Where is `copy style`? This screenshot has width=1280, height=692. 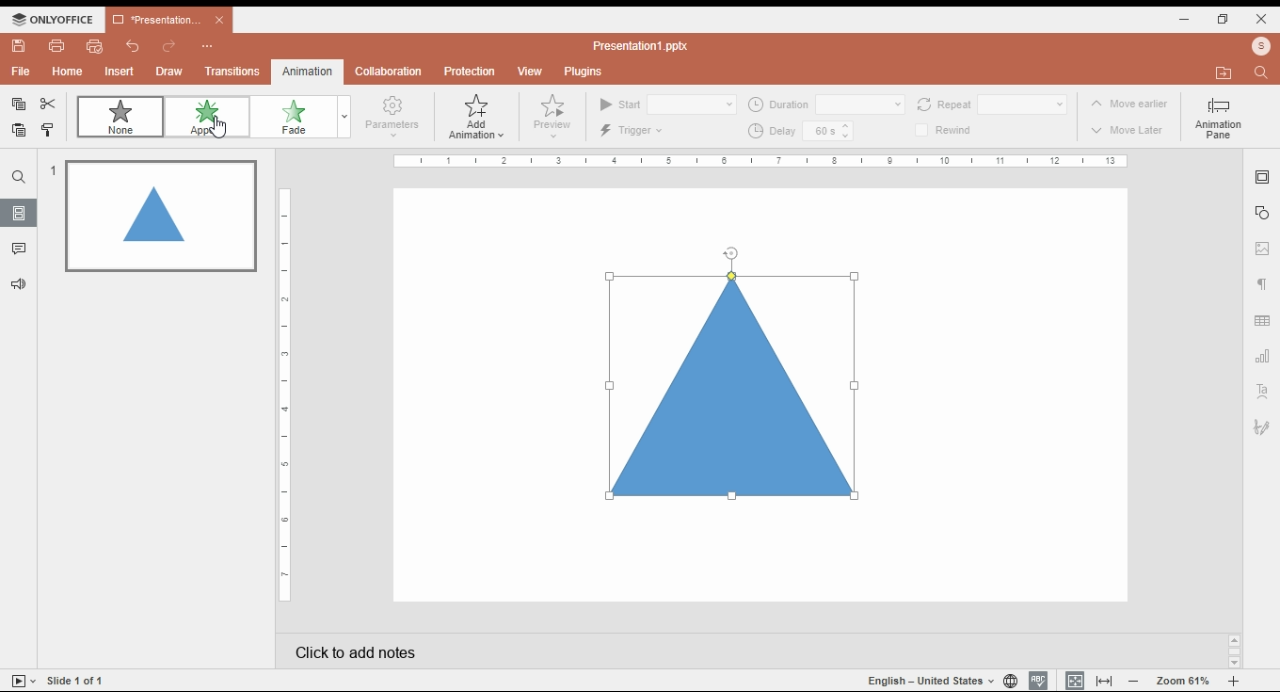
copy style is located at coordinates (48, 129).